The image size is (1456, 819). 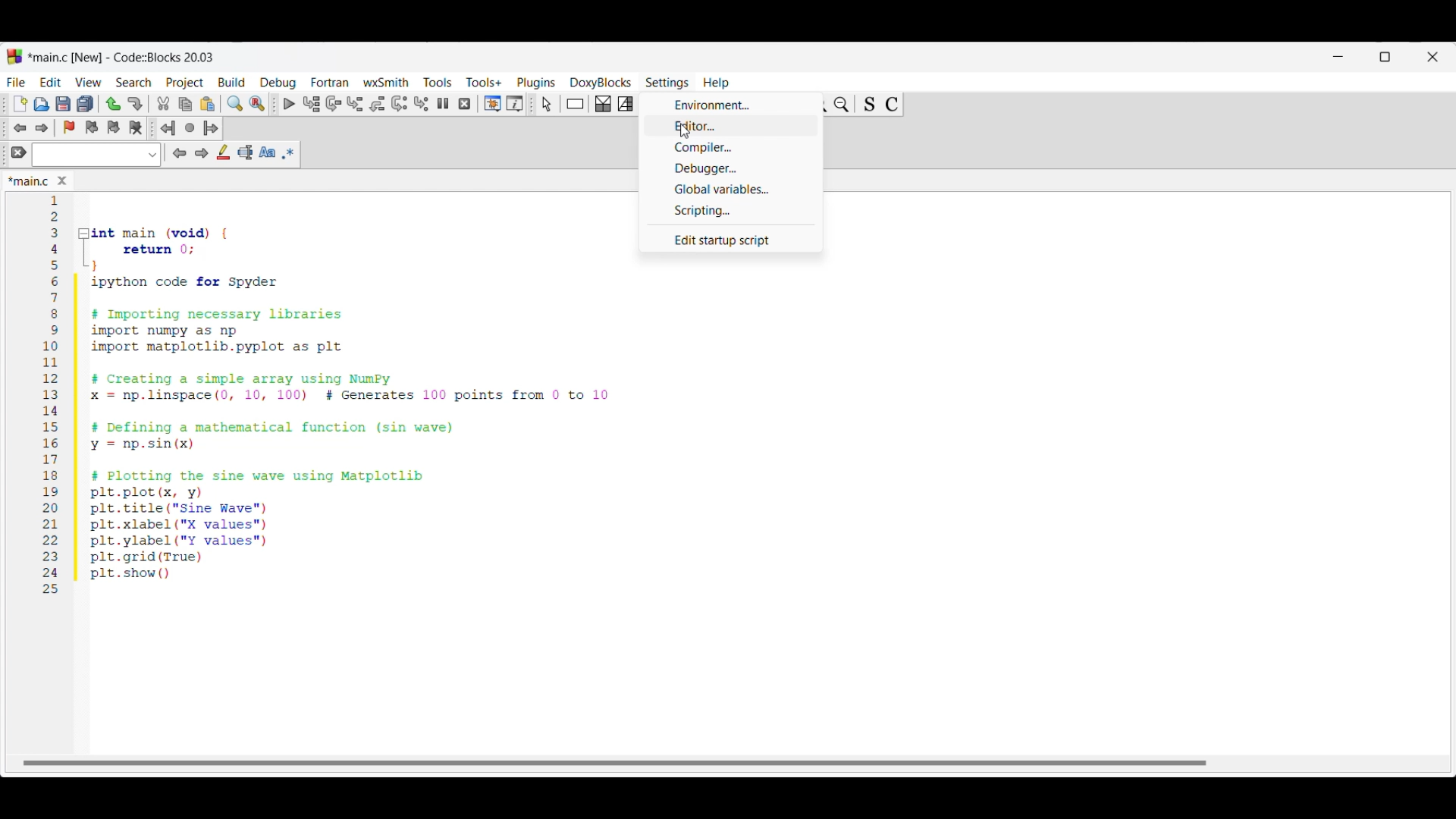 I want to click on Selected text, so click(x=246, y=152).